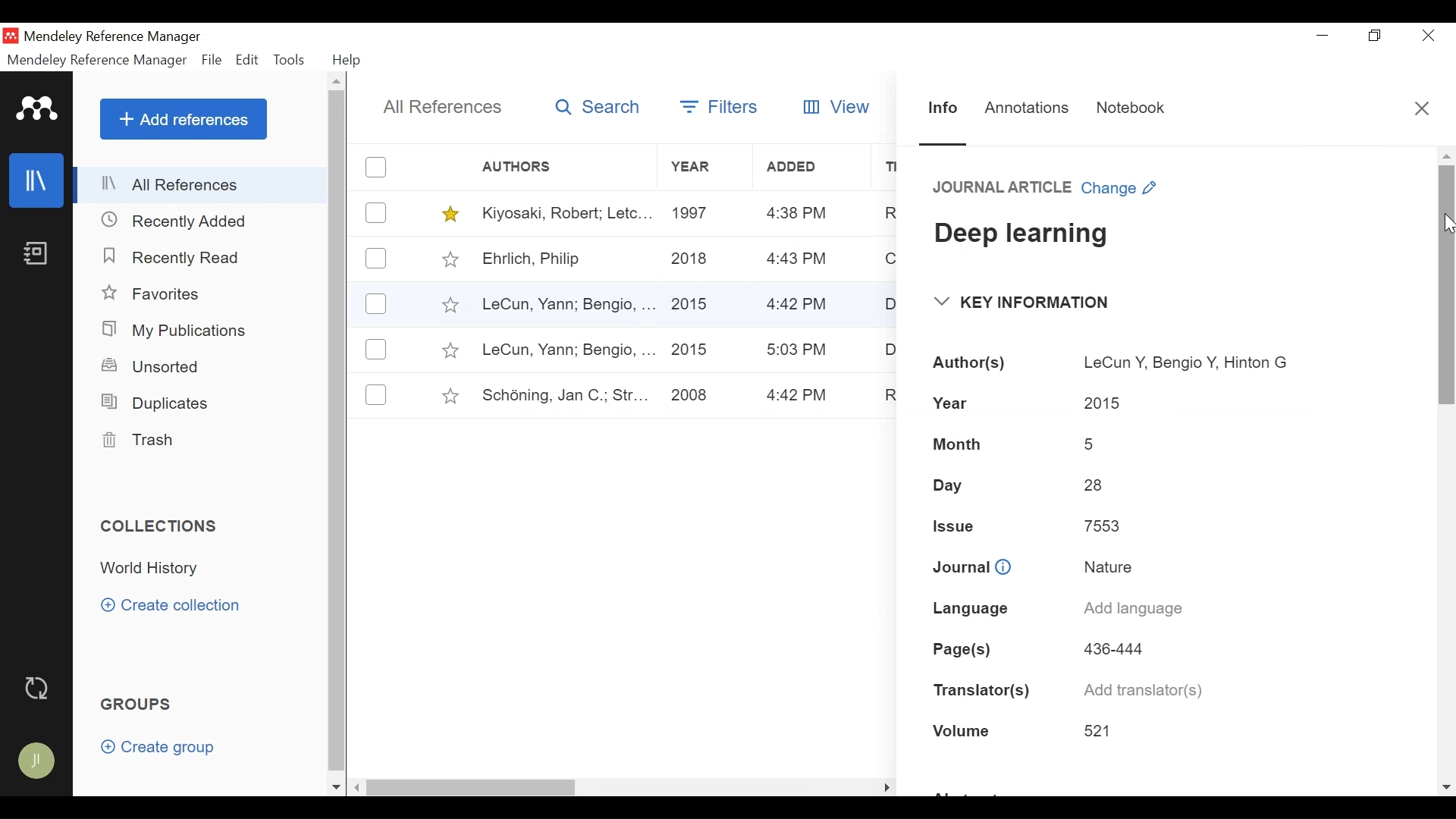 This screenshot has width=1456, height=819. Describe the element at coordinates (1147, 690) in the screenshot. I see `Add Translator(s)` at that location.